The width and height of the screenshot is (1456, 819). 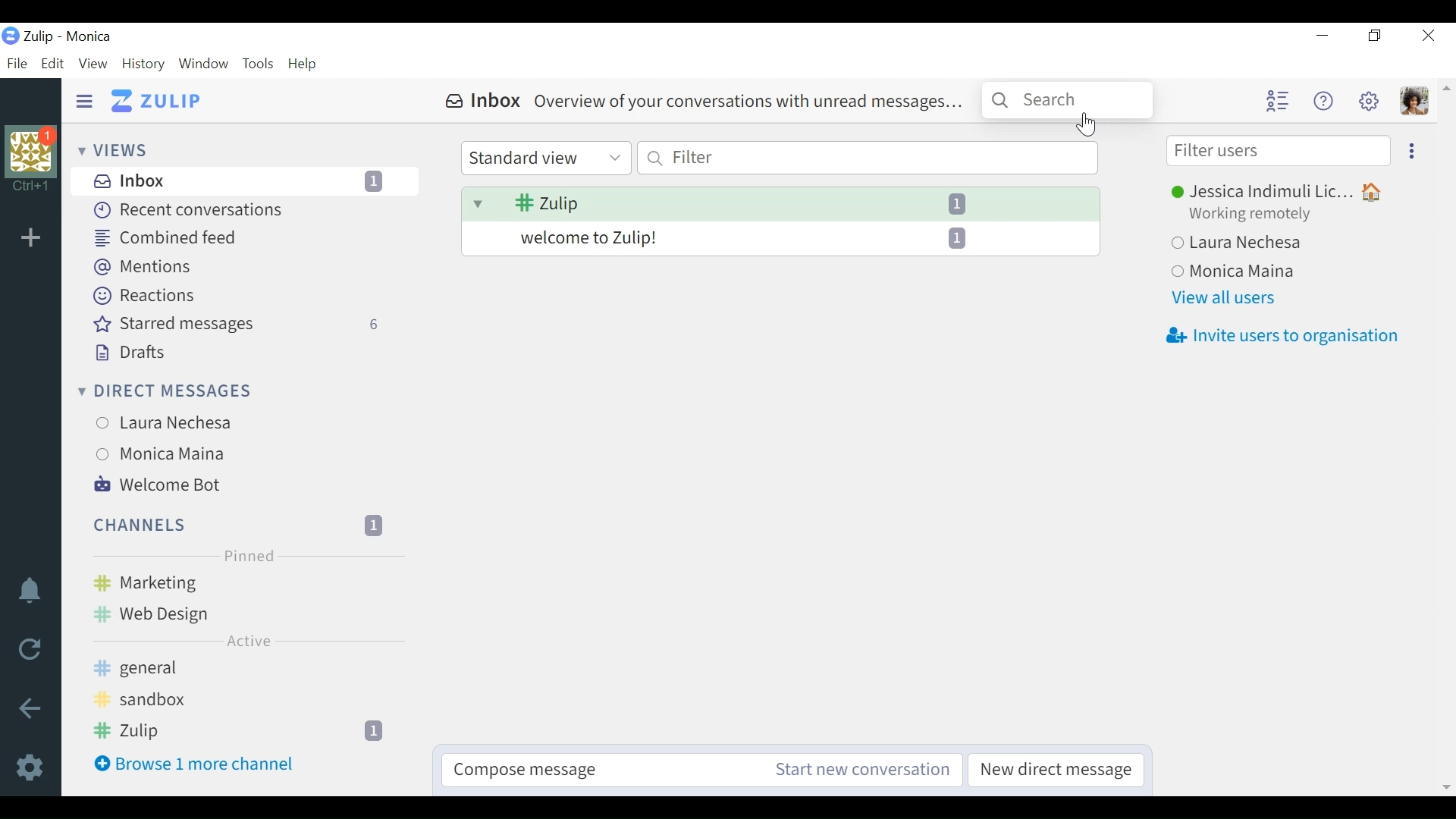 What do you see at coordinates (1417, 102) in the screenshot?
I see `Personal menu` at bounding box center [1417, 102].